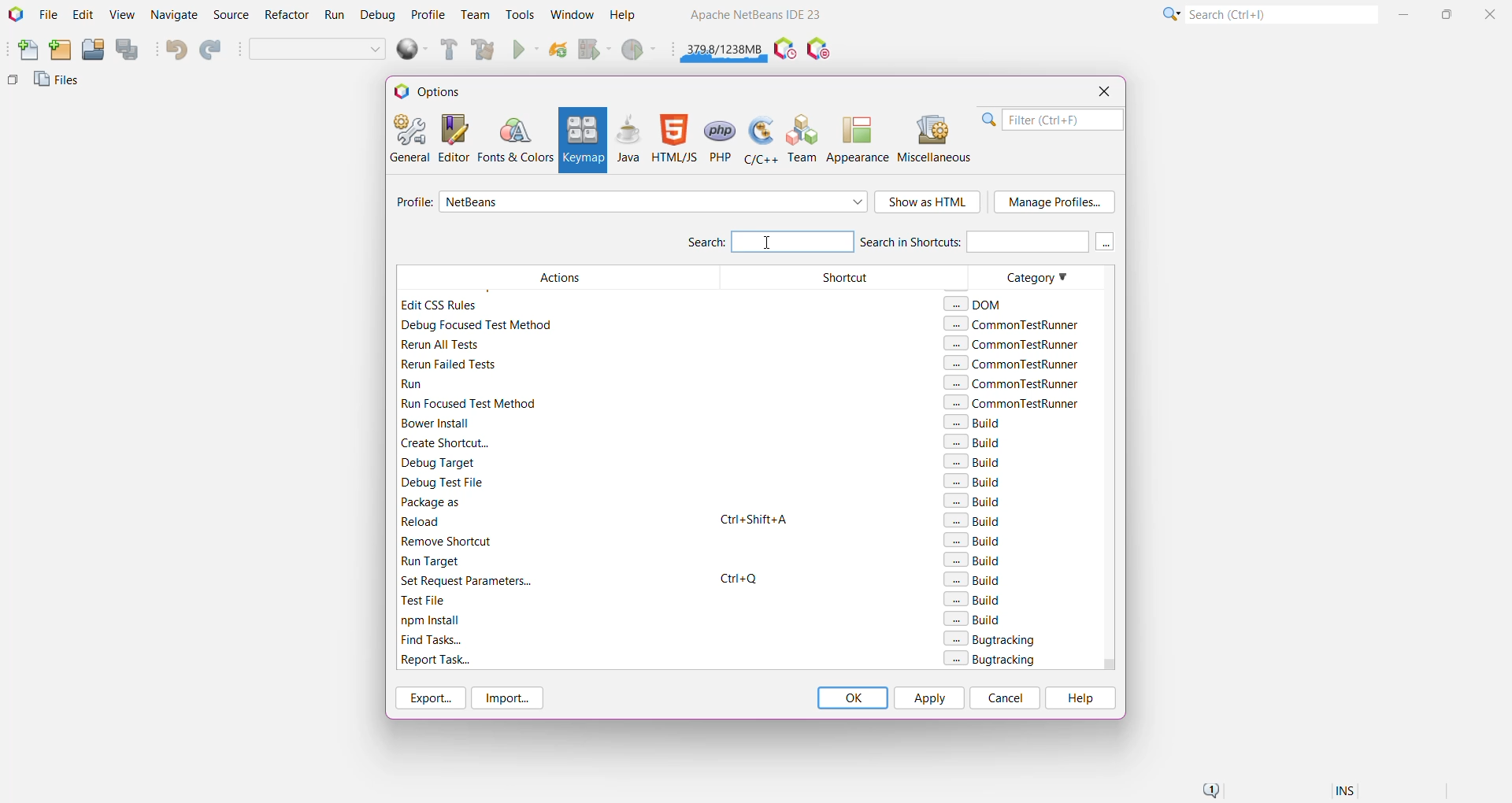 The width and height of the screenshot is (1512, 803). I want to click on Search, so click(705, 244).